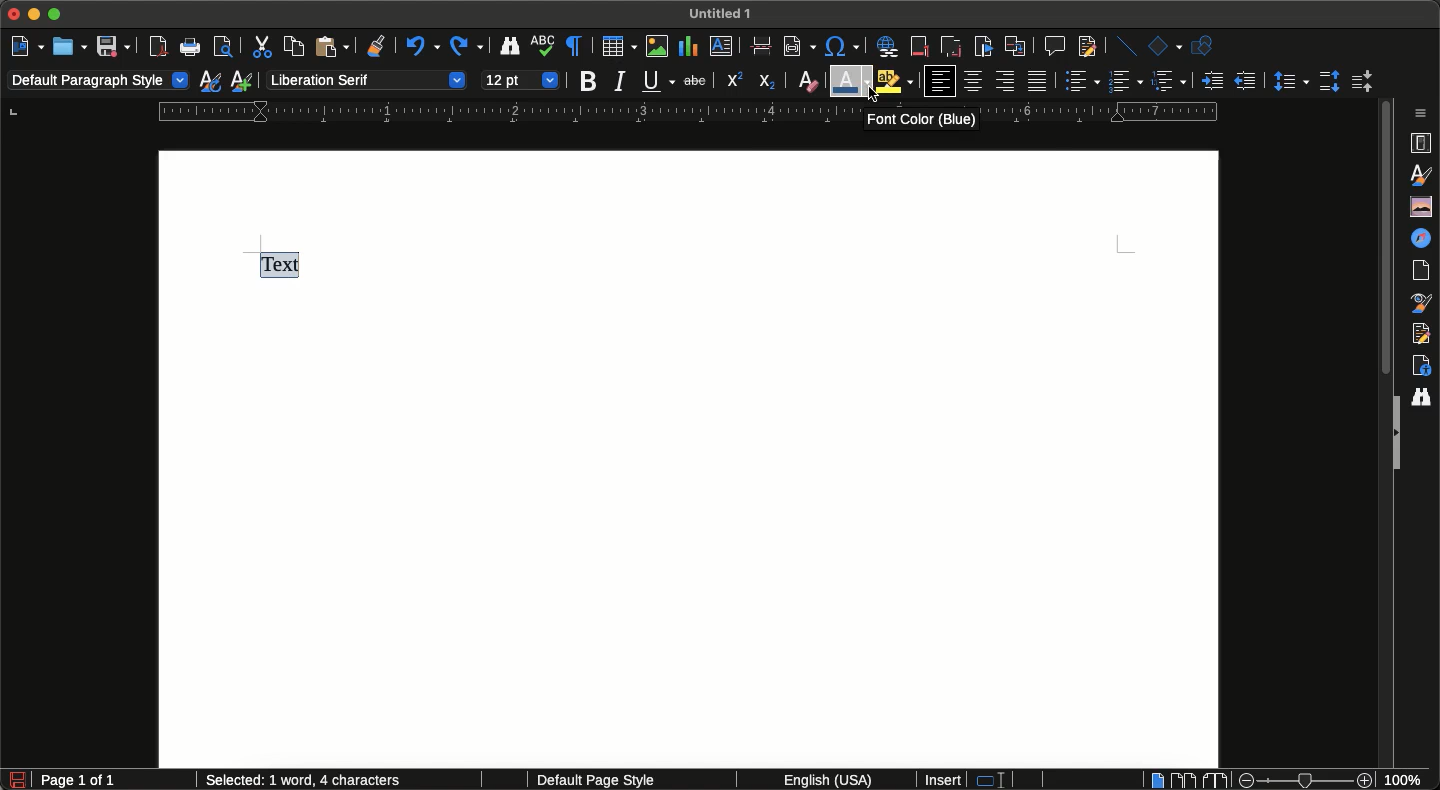  Describe the element at coordinates (420, 49) in the screenshot. I see `Undo` at that location.